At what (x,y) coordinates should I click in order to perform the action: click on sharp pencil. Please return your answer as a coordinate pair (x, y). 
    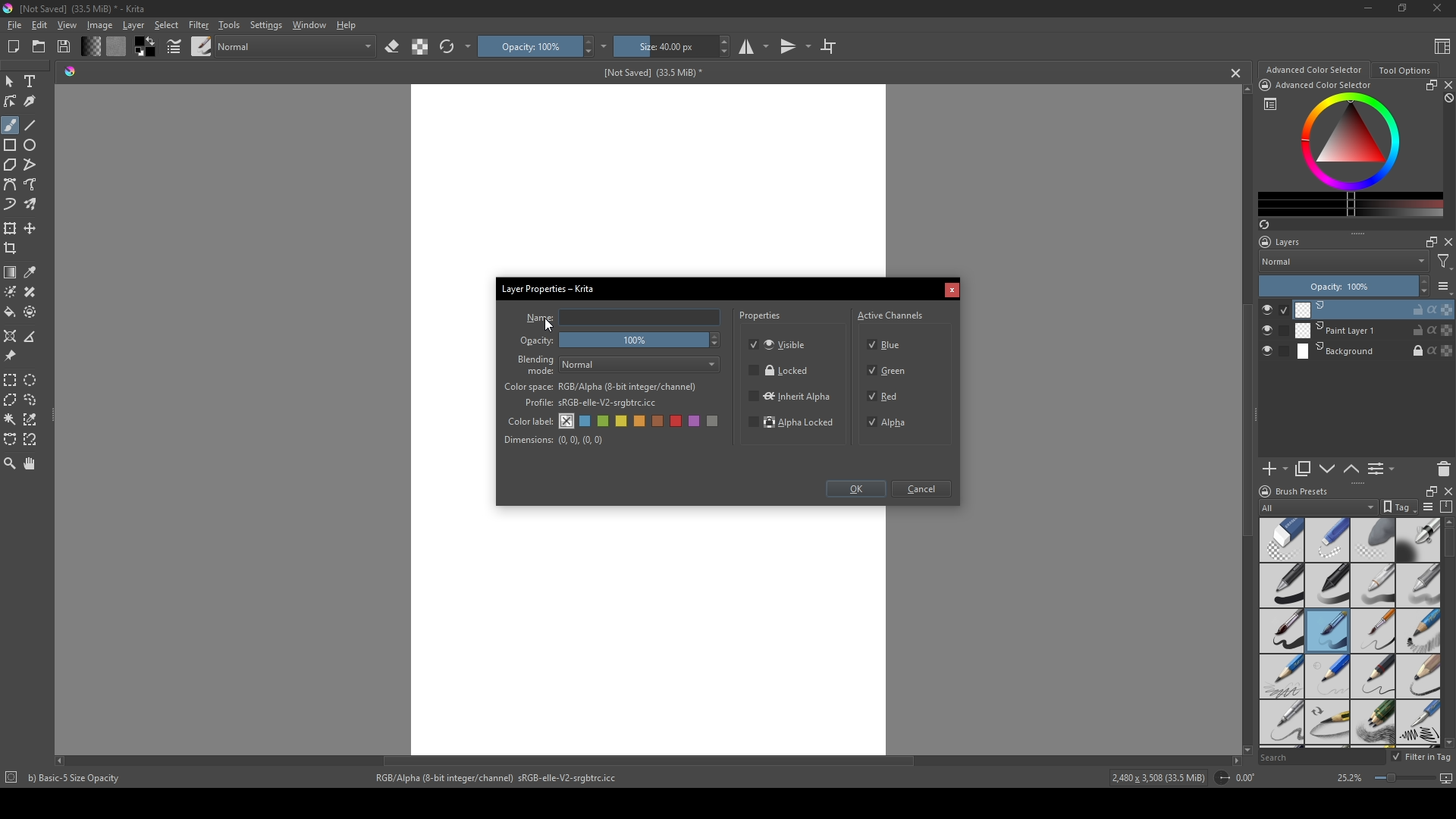
    Looking at the image, I should click on (1281, 723).